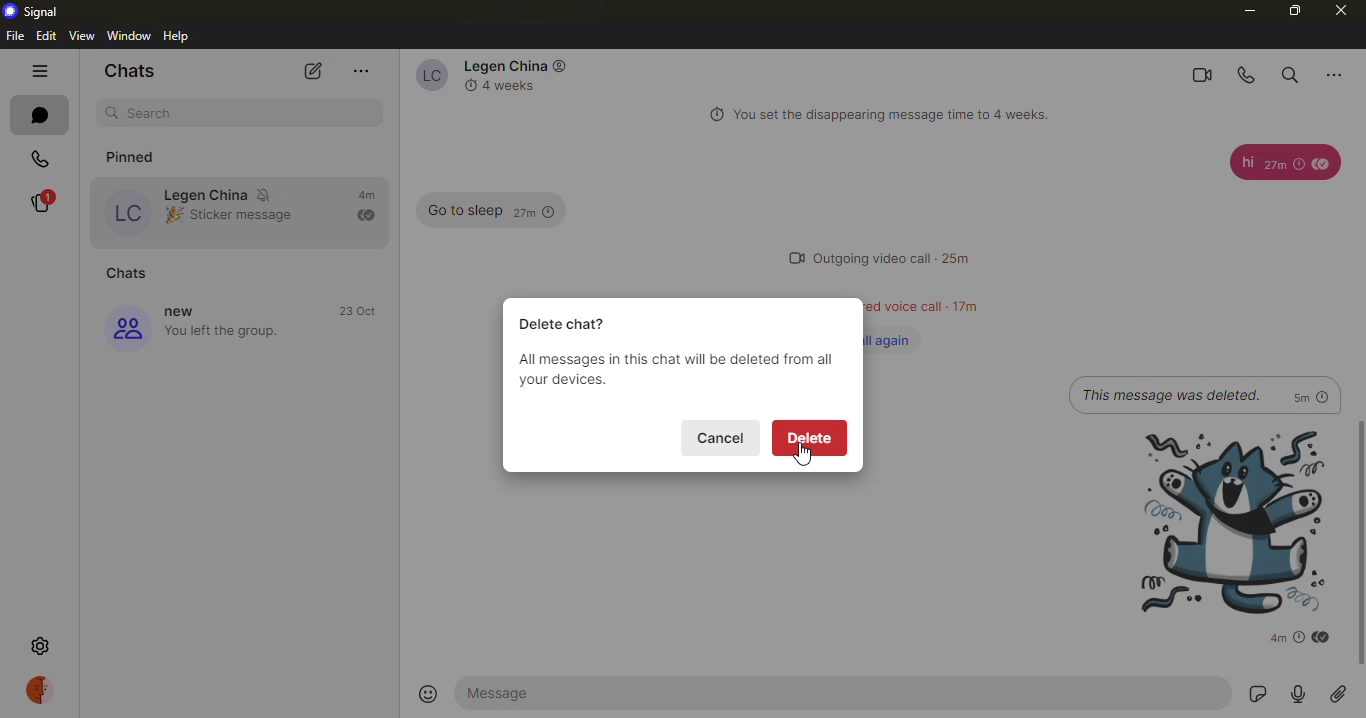 This screenshot has height=718, width=1366. I want to click on search, so click(154, 112).